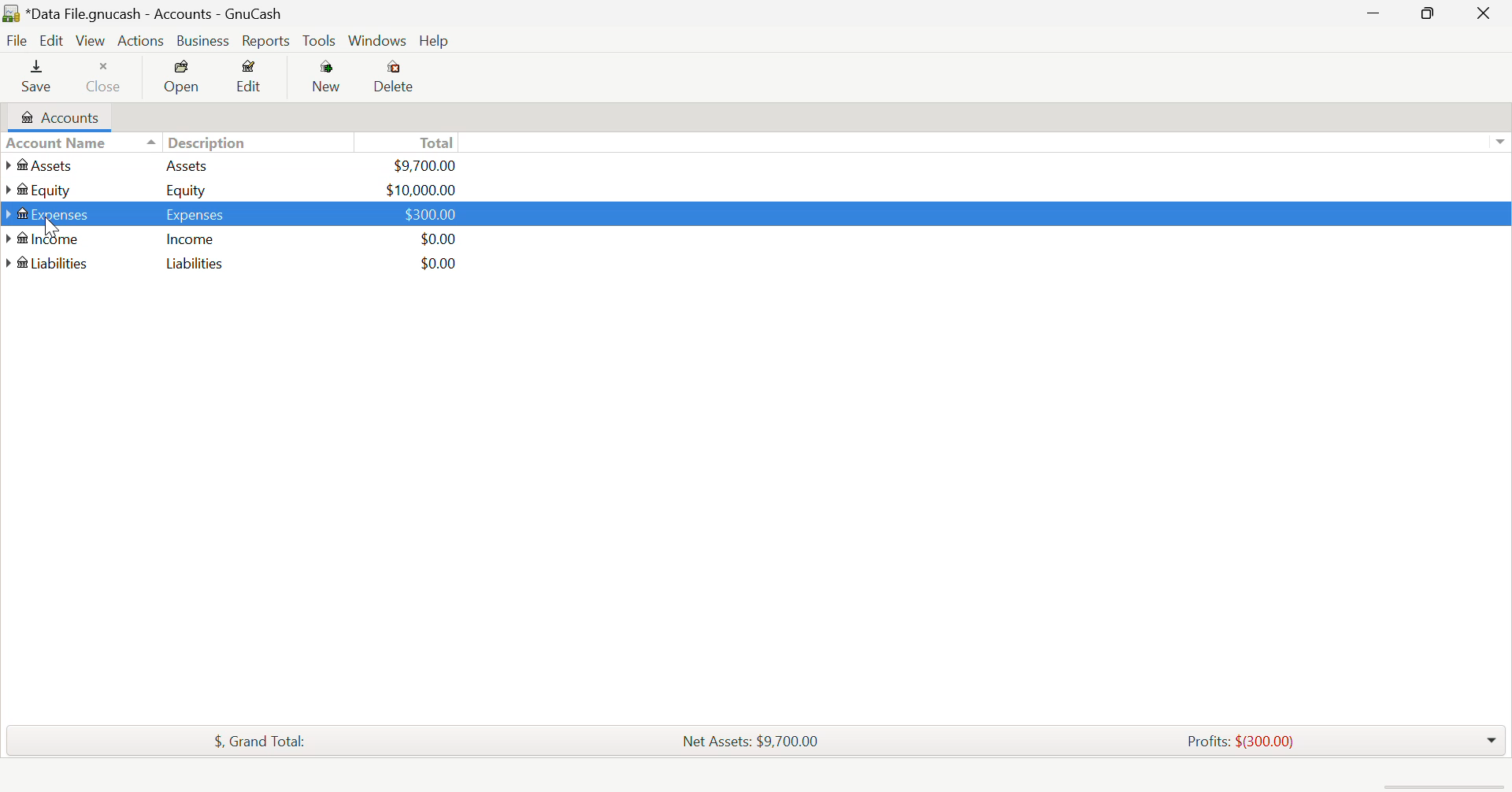 The width and height of the screenshot is (1512, 792). What do you see at coordinates (398, 76) in the screenshot?
I see `Delete` at bounding box center [398, 76].